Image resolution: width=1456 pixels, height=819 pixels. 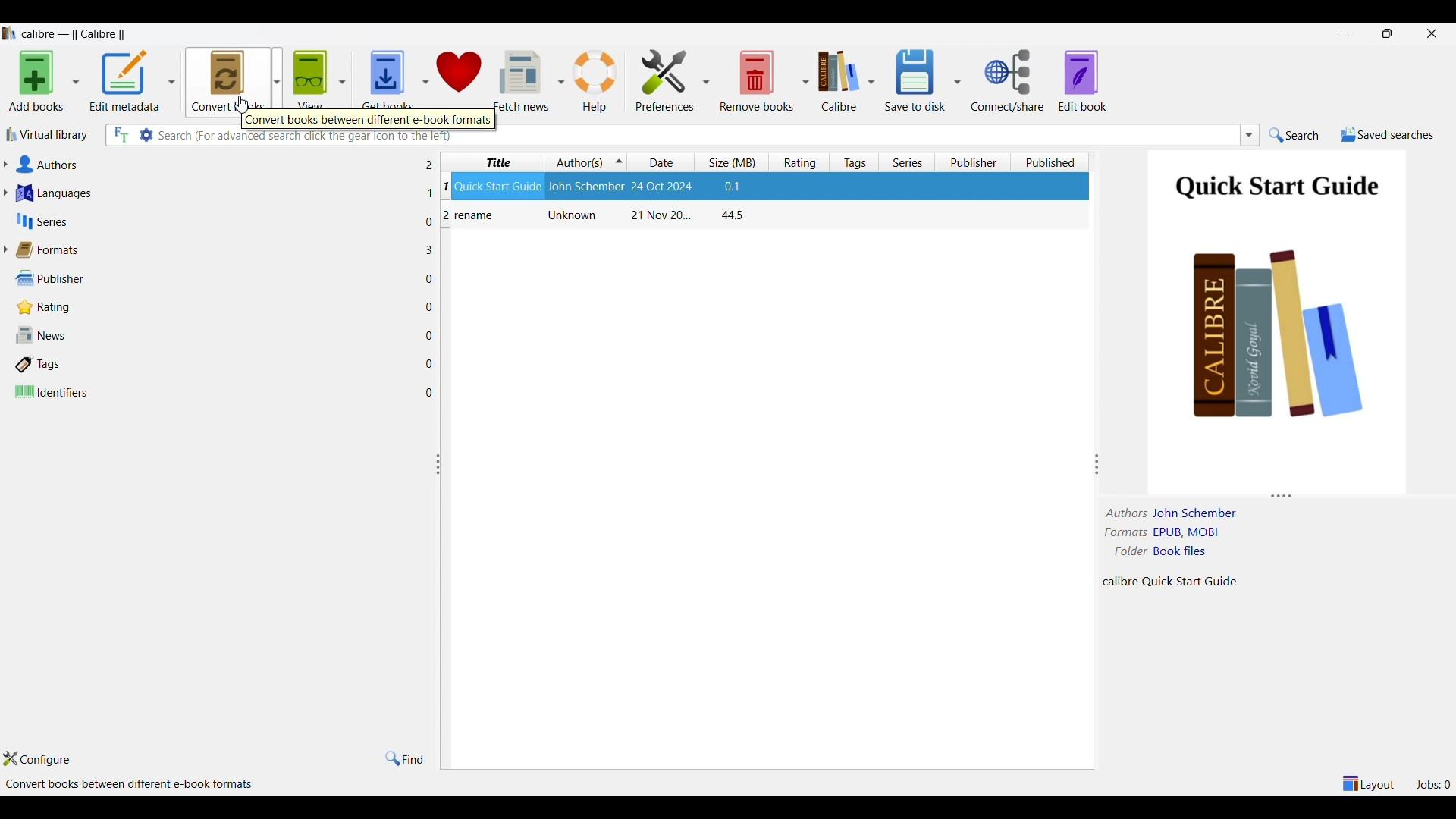 What do you see at coordinates (344, 80) in the screenshot?
I see `View options` at bounding box center [344, 80].